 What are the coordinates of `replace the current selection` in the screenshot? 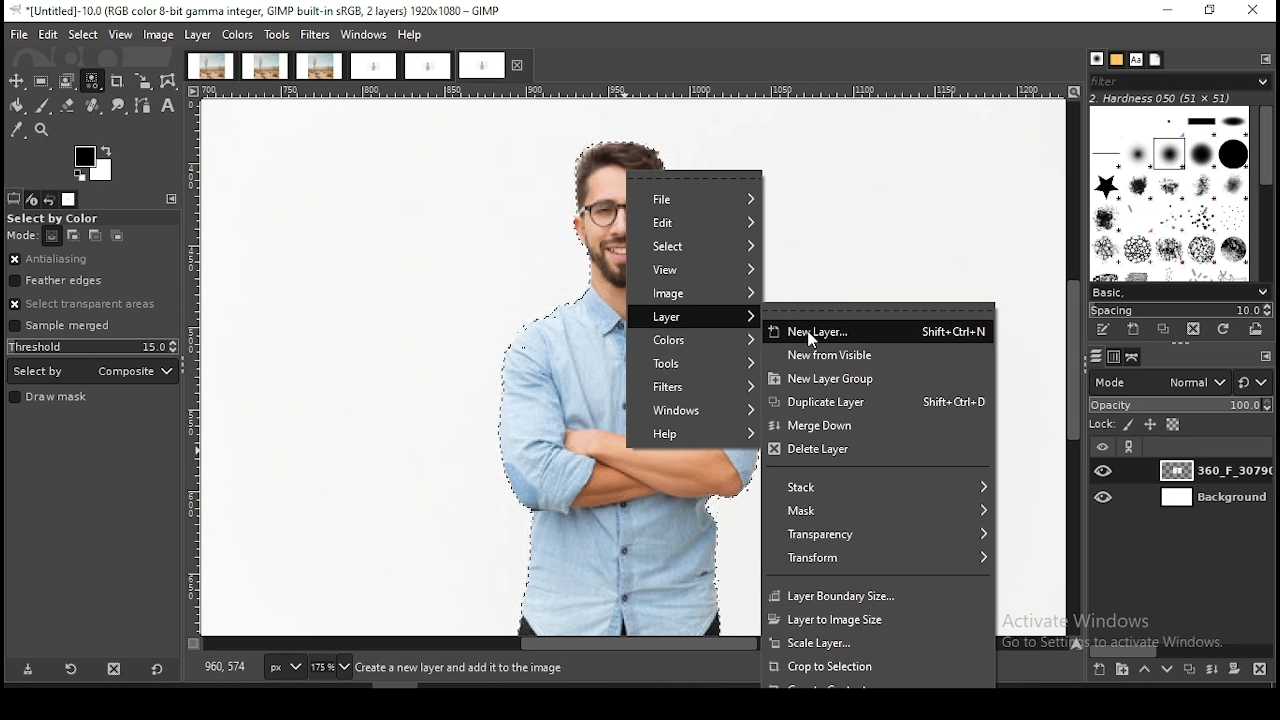 It's located at (54, 237).